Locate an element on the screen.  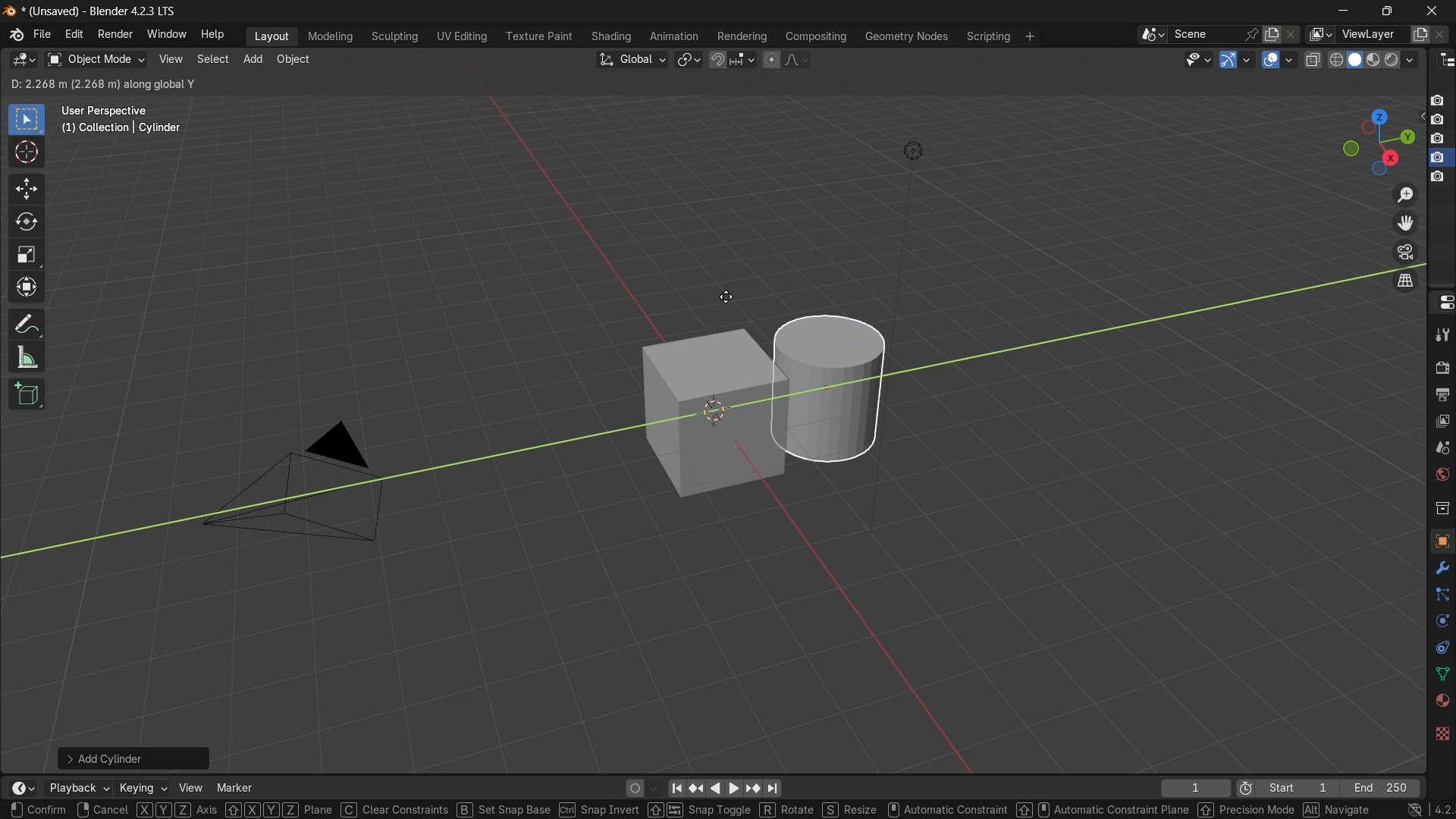
capture is located at coordinates (1438, 181).